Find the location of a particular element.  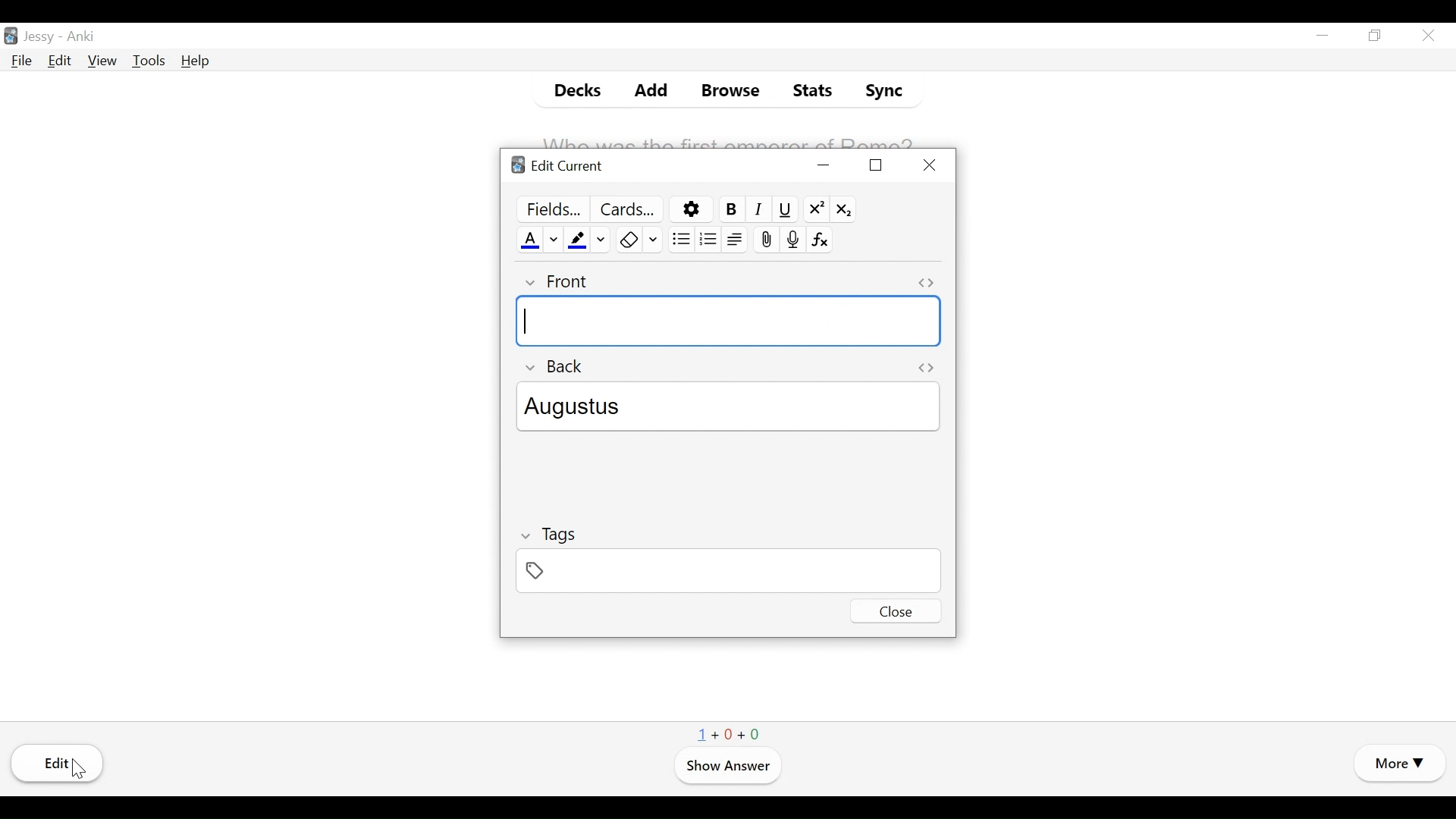

Options is located at coordinates (689, 209).